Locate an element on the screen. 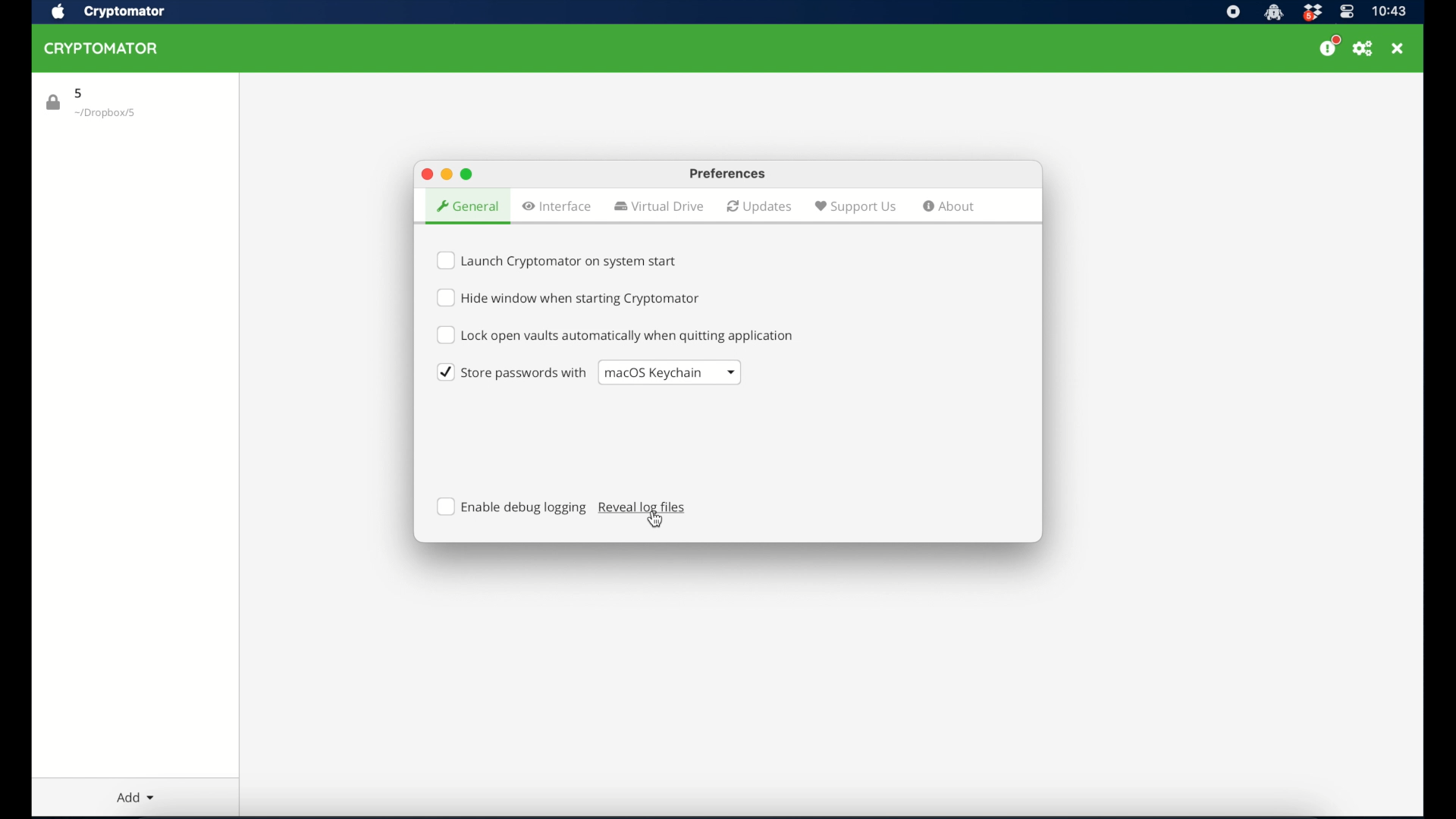  support us is located at coordinates (1331, 46).